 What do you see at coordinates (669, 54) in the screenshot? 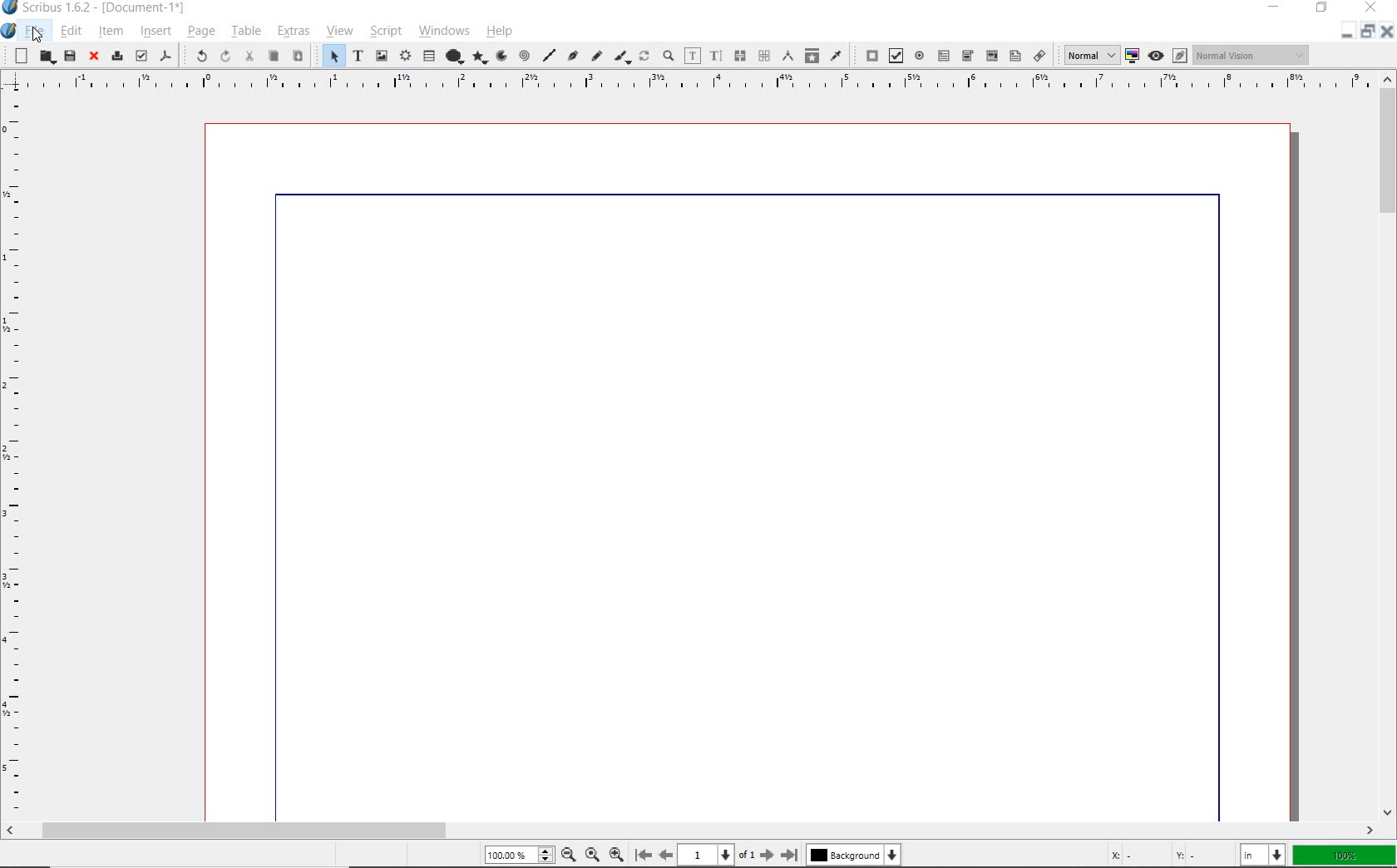
I see `zoom in or zoom out` at bounding box center [669, 54].